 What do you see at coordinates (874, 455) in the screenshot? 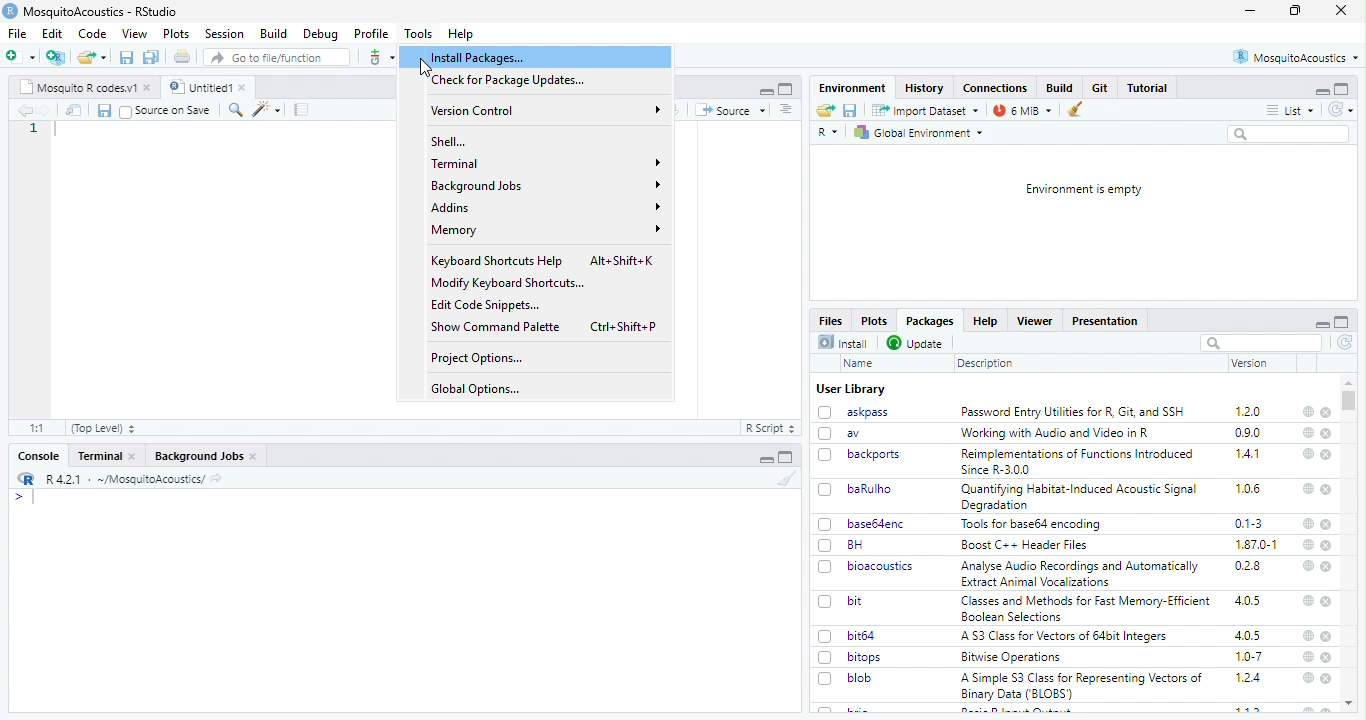
I see `backports` at bounding box center [874, 455].